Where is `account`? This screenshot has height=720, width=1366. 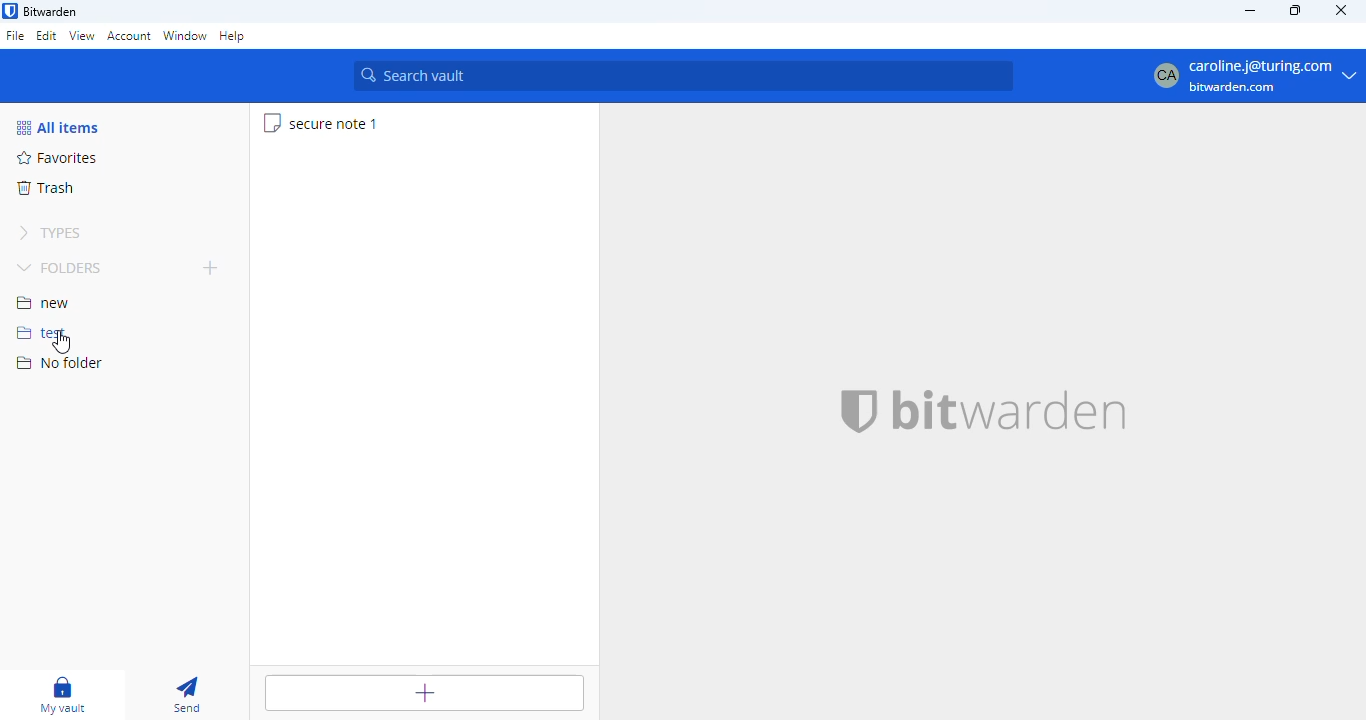 account is located at coordinates (129, 37).